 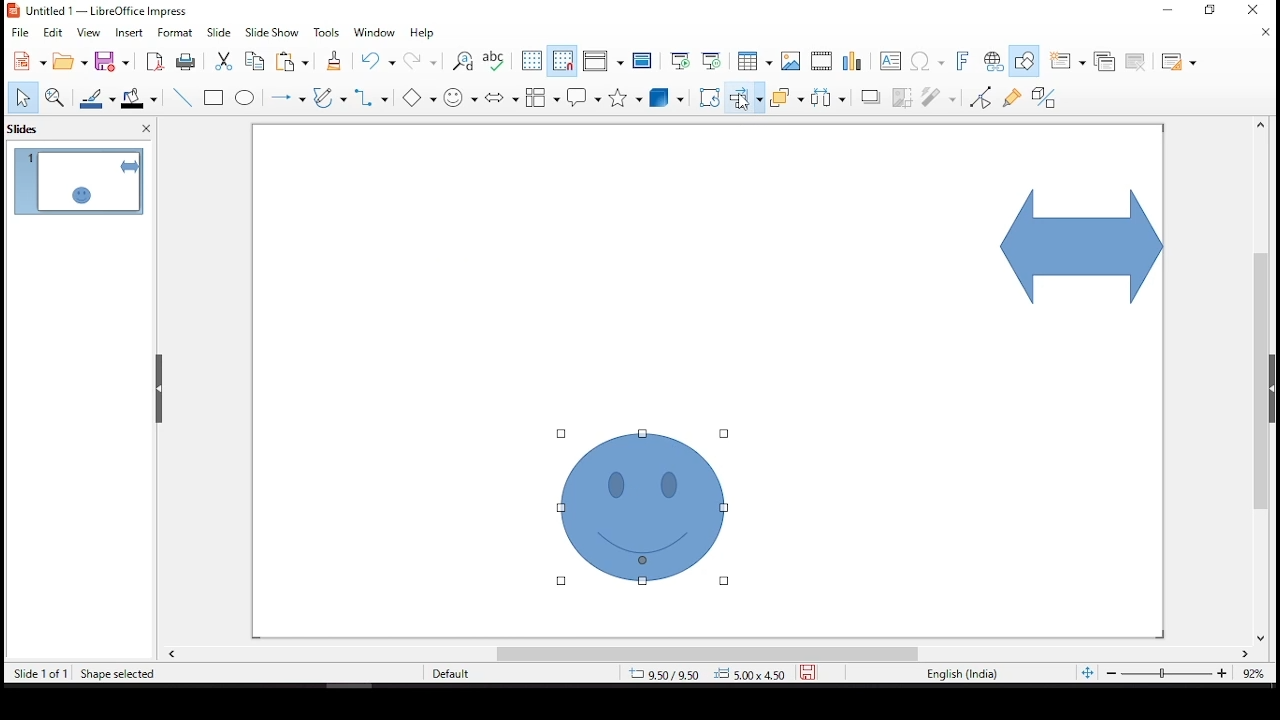 What do you see at coordinates (745, 102) in the screenshot?
I see `mouse pointer` at bounding box center [745, 102].